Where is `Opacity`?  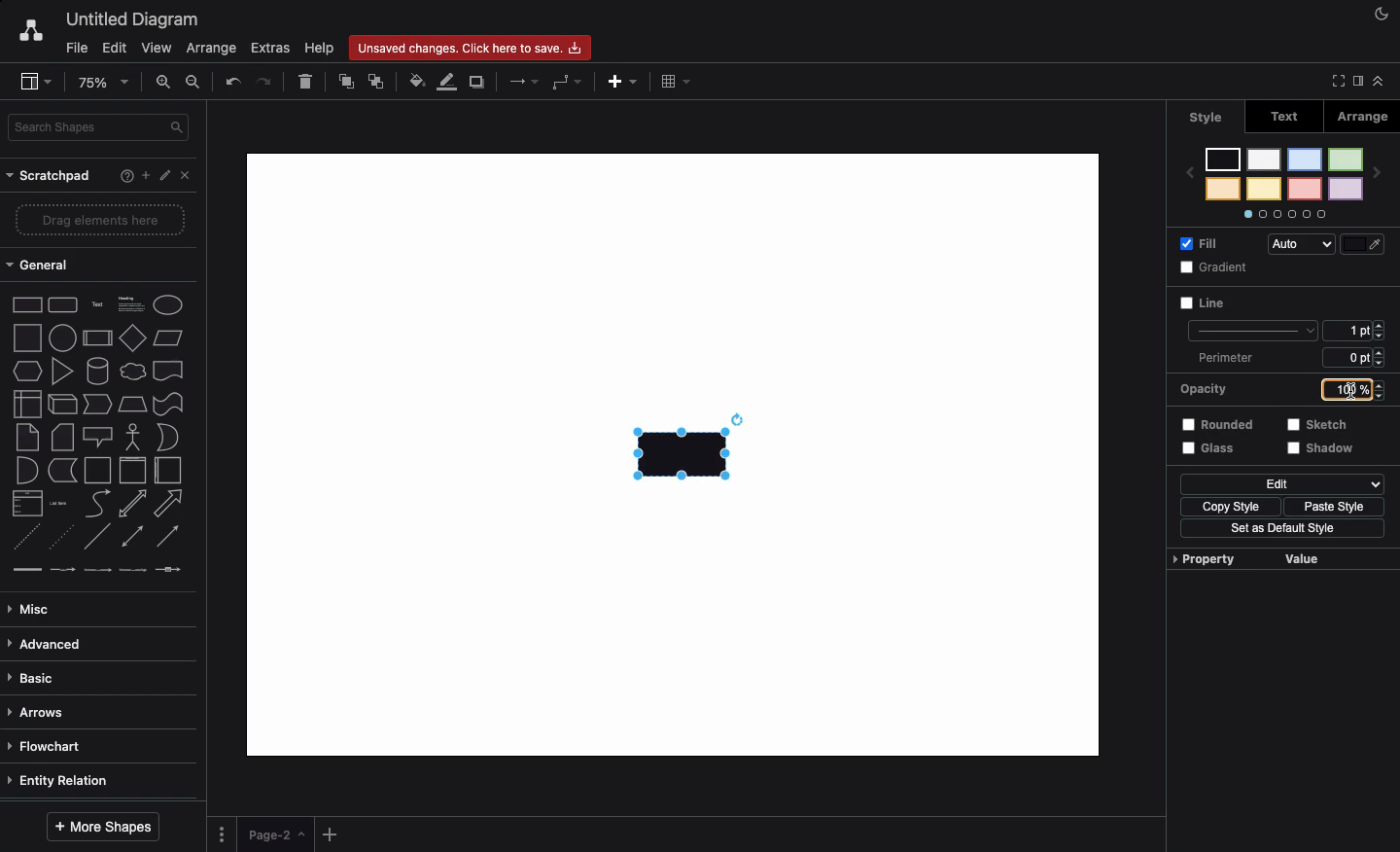
Opacity is located at coordinates (1202, 388).